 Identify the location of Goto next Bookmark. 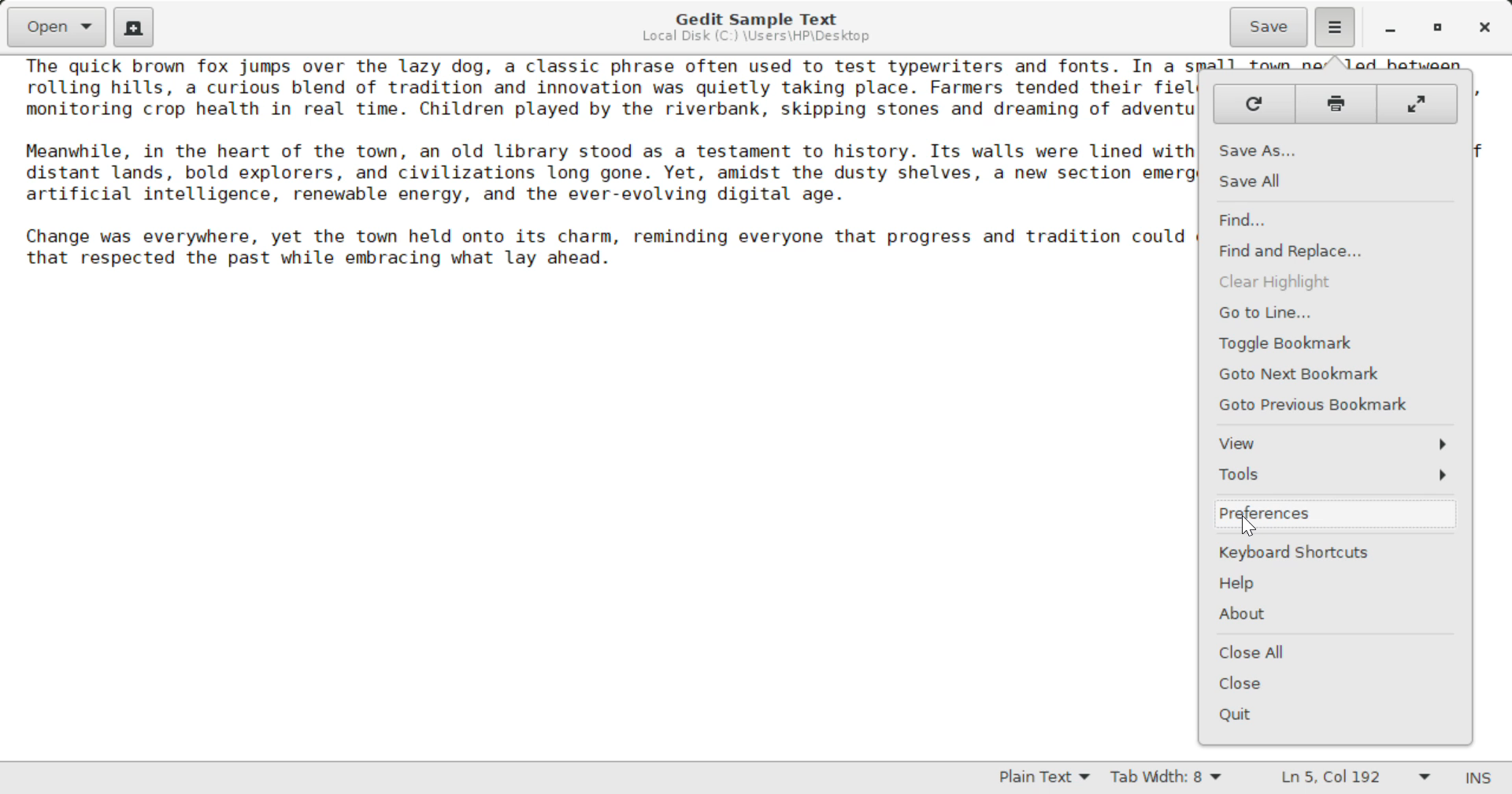
(1246, 374).